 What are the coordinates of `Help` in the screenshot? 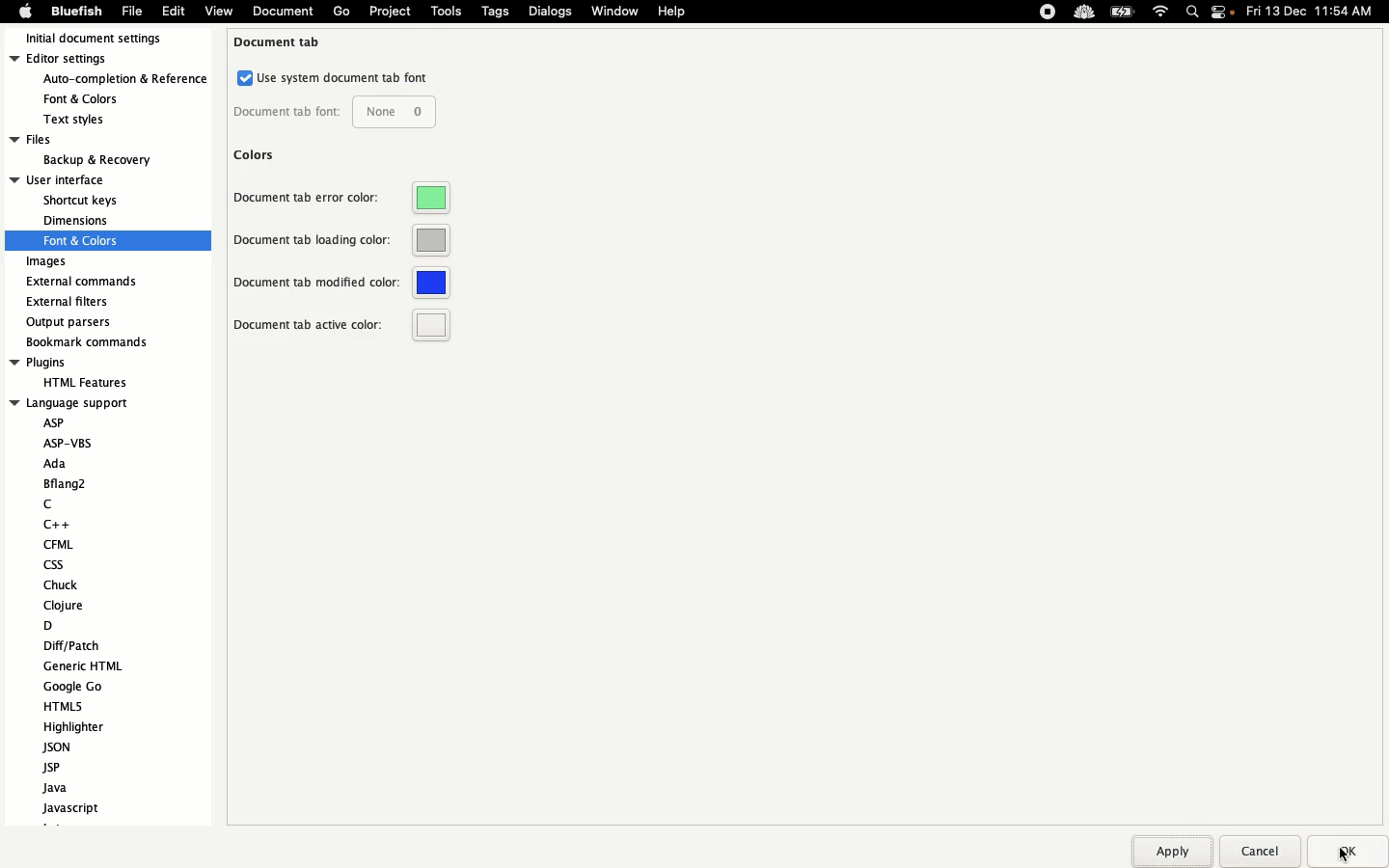 It's located at (672, 11).